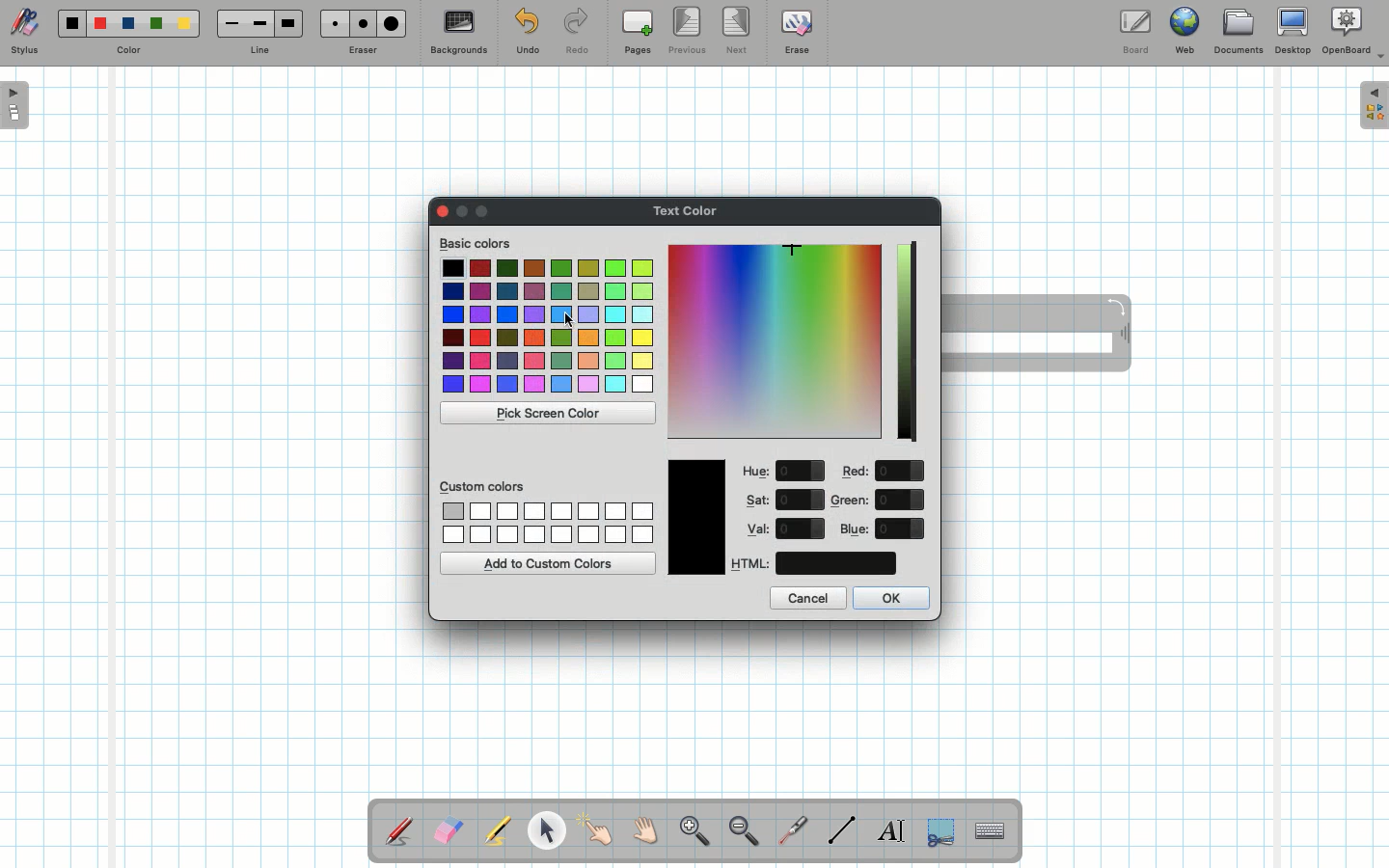 This screenshot has height=868, width=1389. I want to click on OpenBoard, so click(1353, 31).